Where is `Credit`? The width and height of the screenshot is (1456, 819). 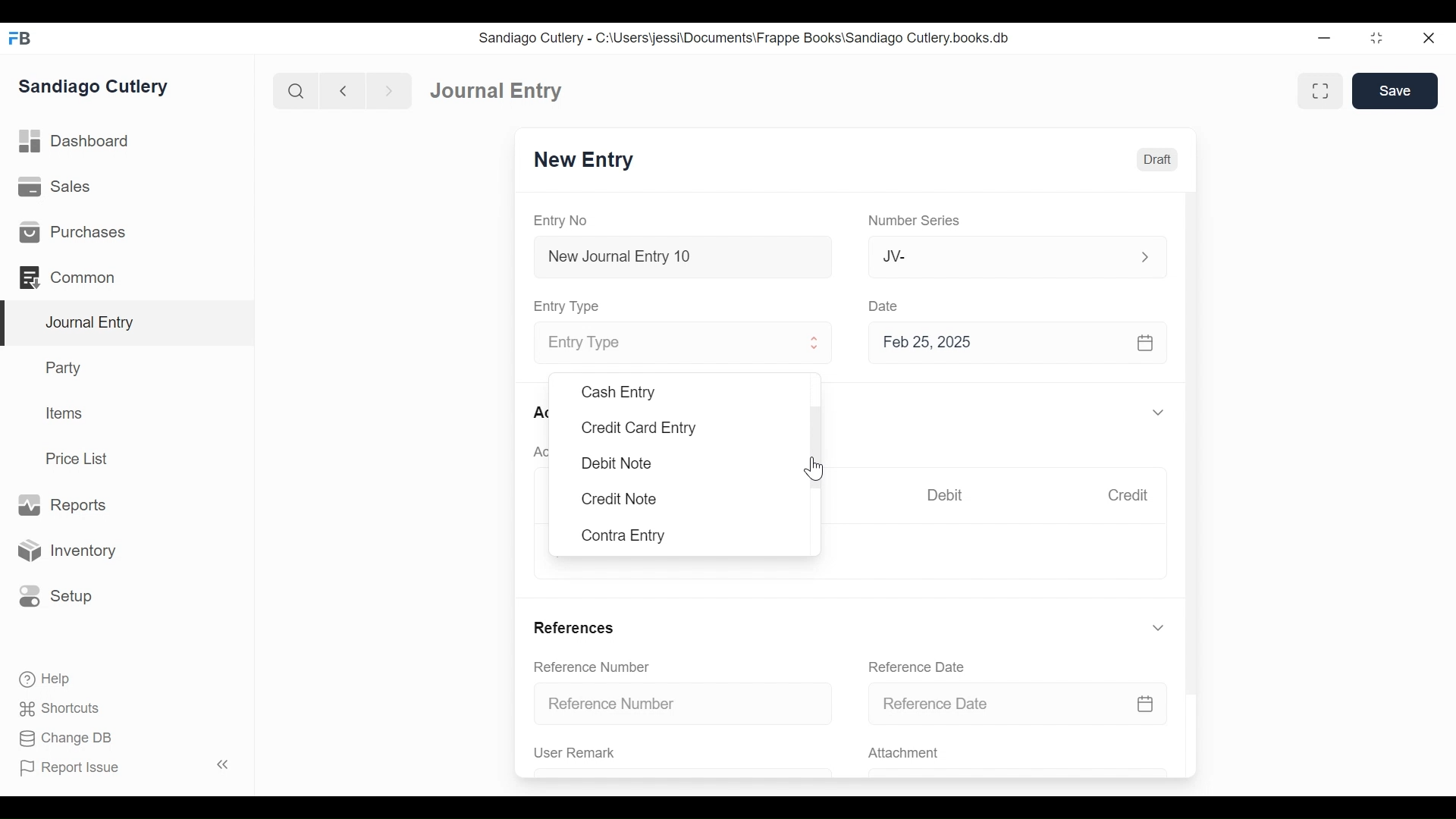 Credit is located at coordinates (1131, 497).